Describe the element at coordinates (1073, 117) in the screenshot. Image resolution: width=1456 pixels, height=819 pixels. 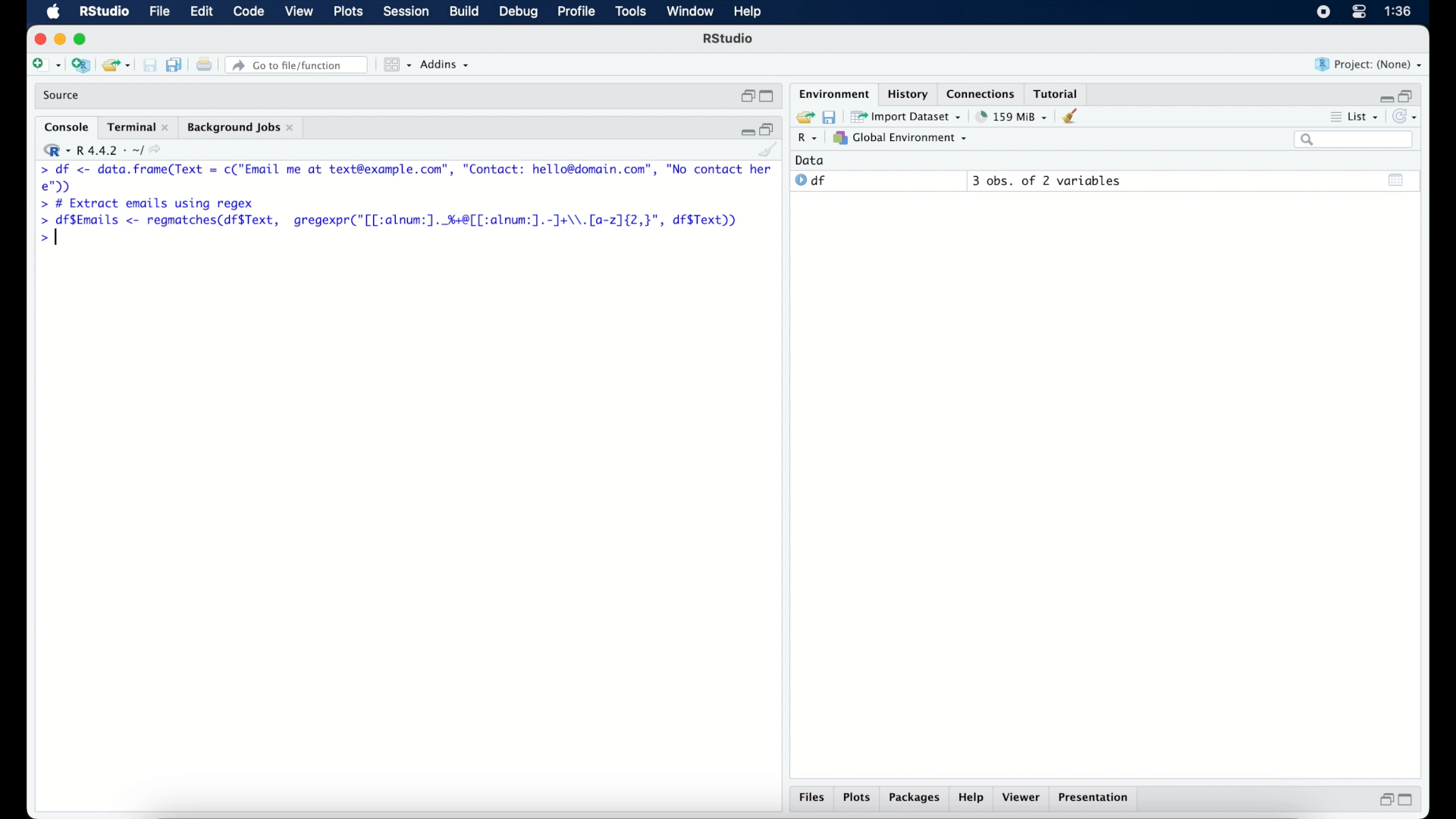
I see `clear console` at that location.